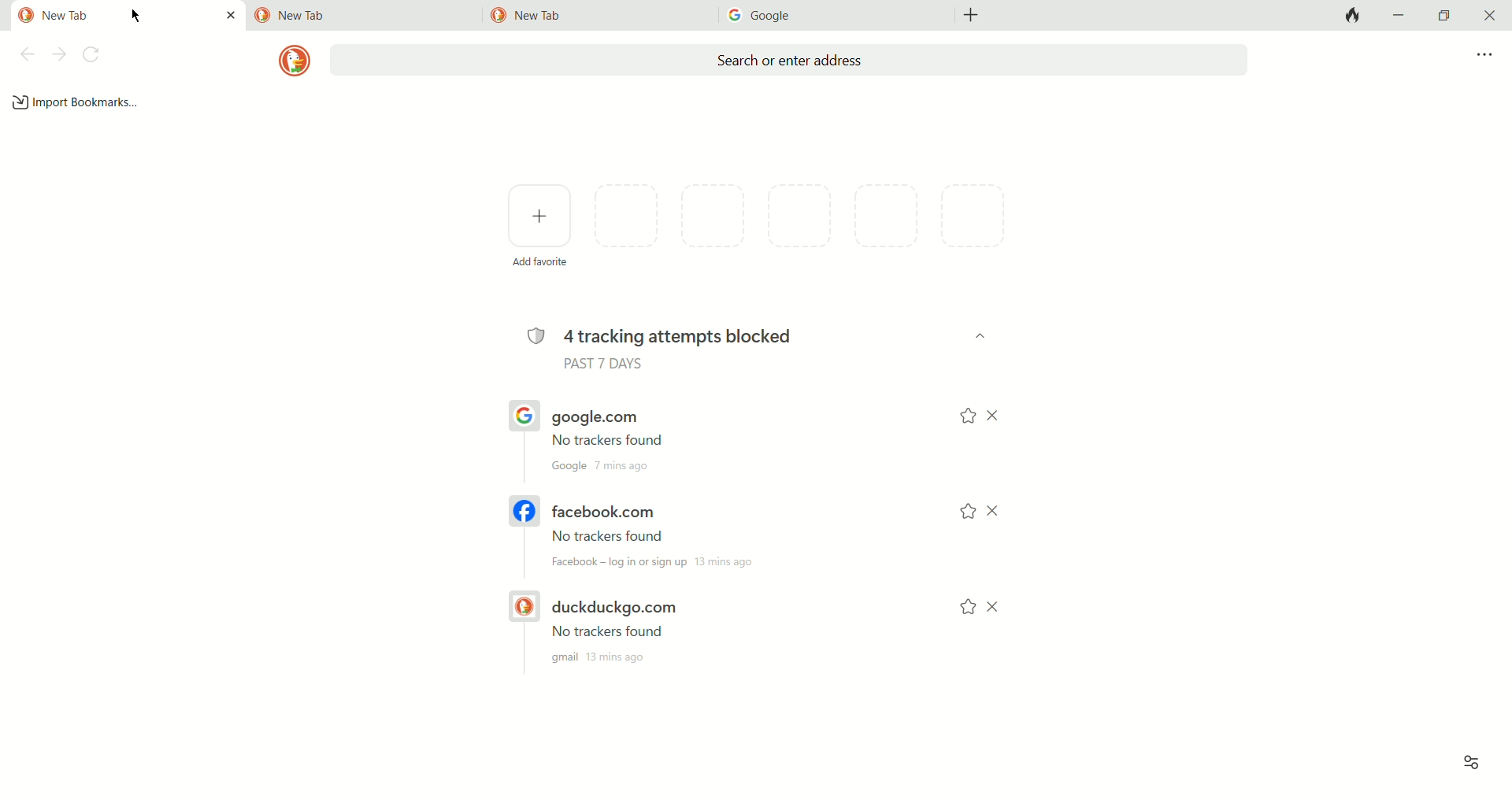  Describe the element at coordinates (1467, 766) in the screenshot. I see `view options` at that location.